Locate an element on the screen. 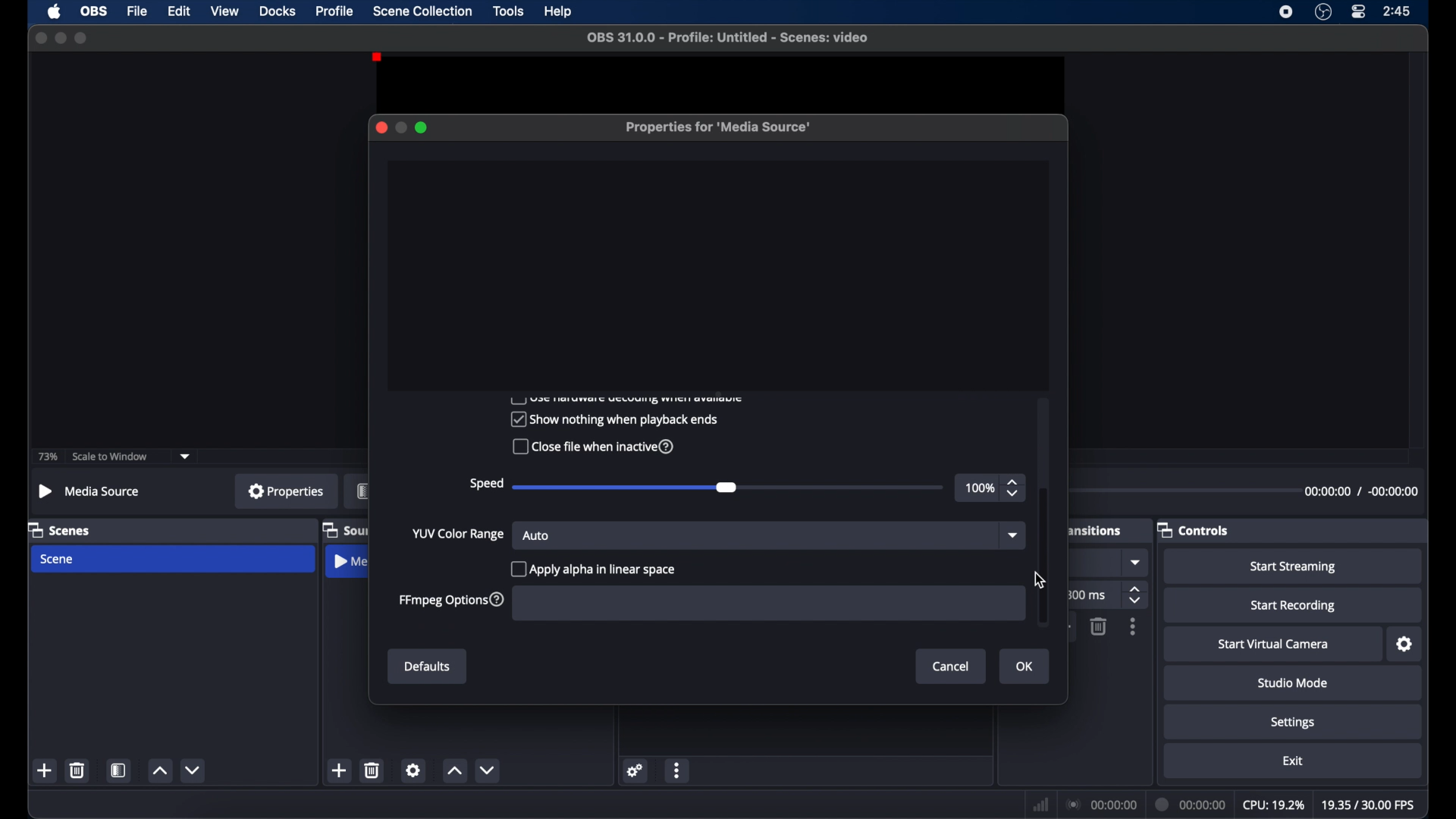  connection is located at coordinates (1101, 803).